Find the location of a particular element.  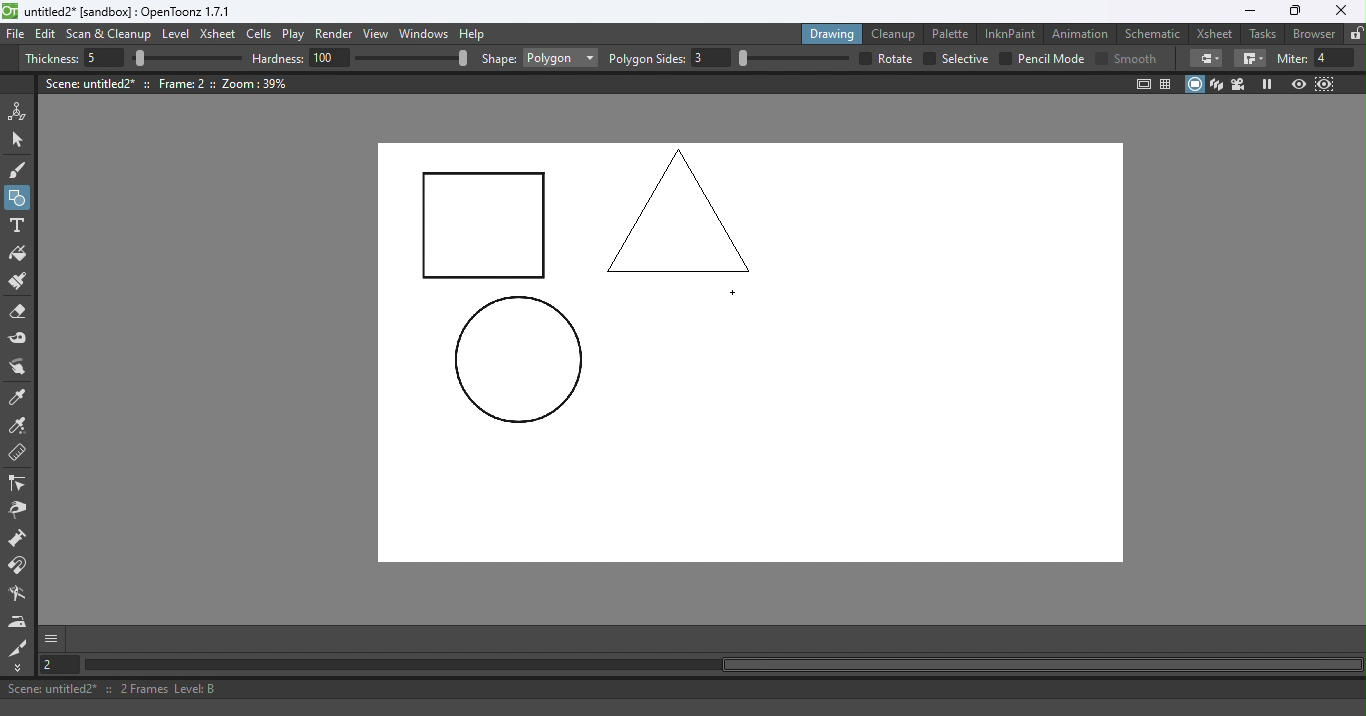

RGB picker tool is located at coordinates (21, 427).